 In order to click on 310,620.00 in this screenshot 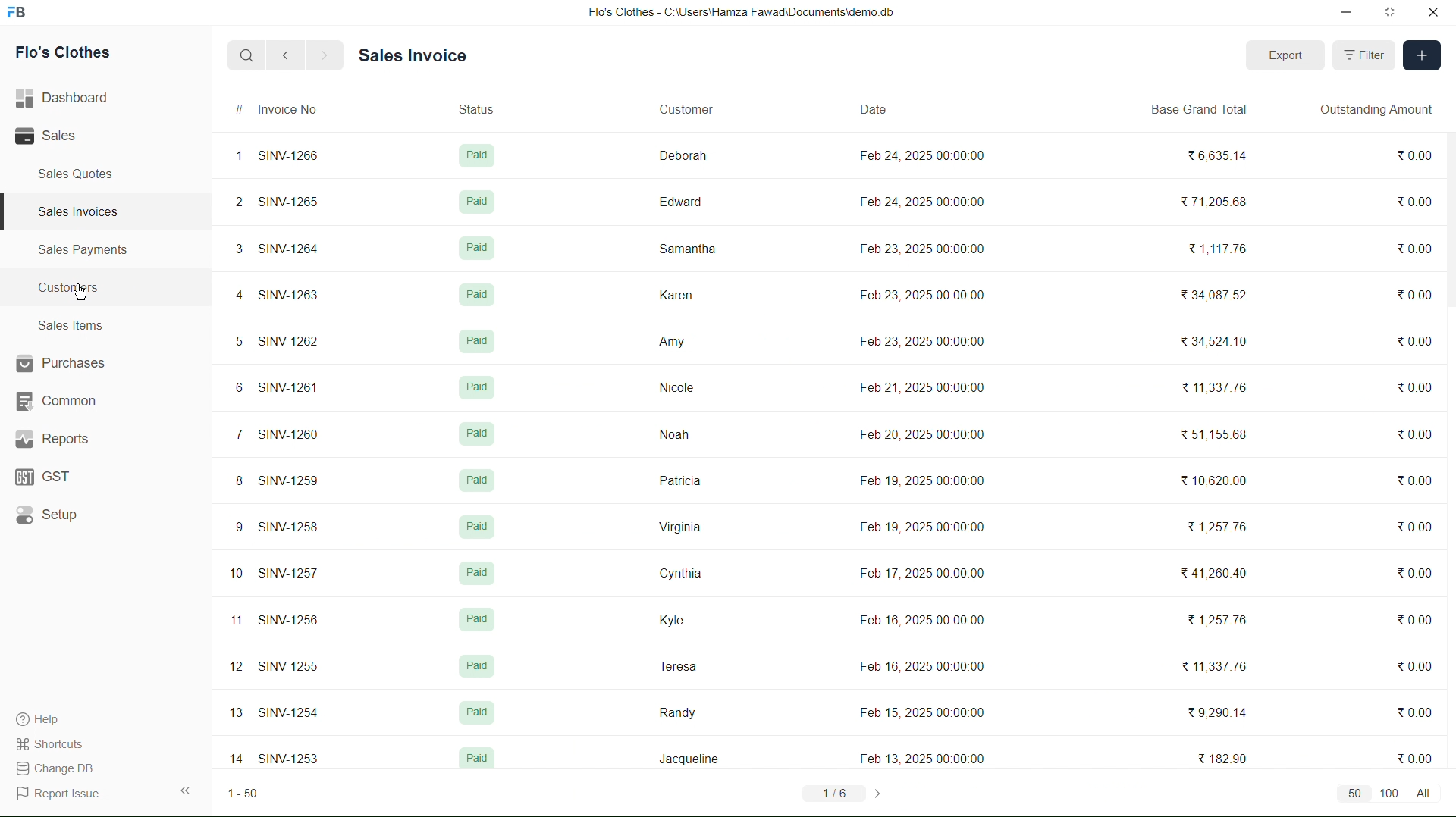, I will do `click(1223, 480)`.